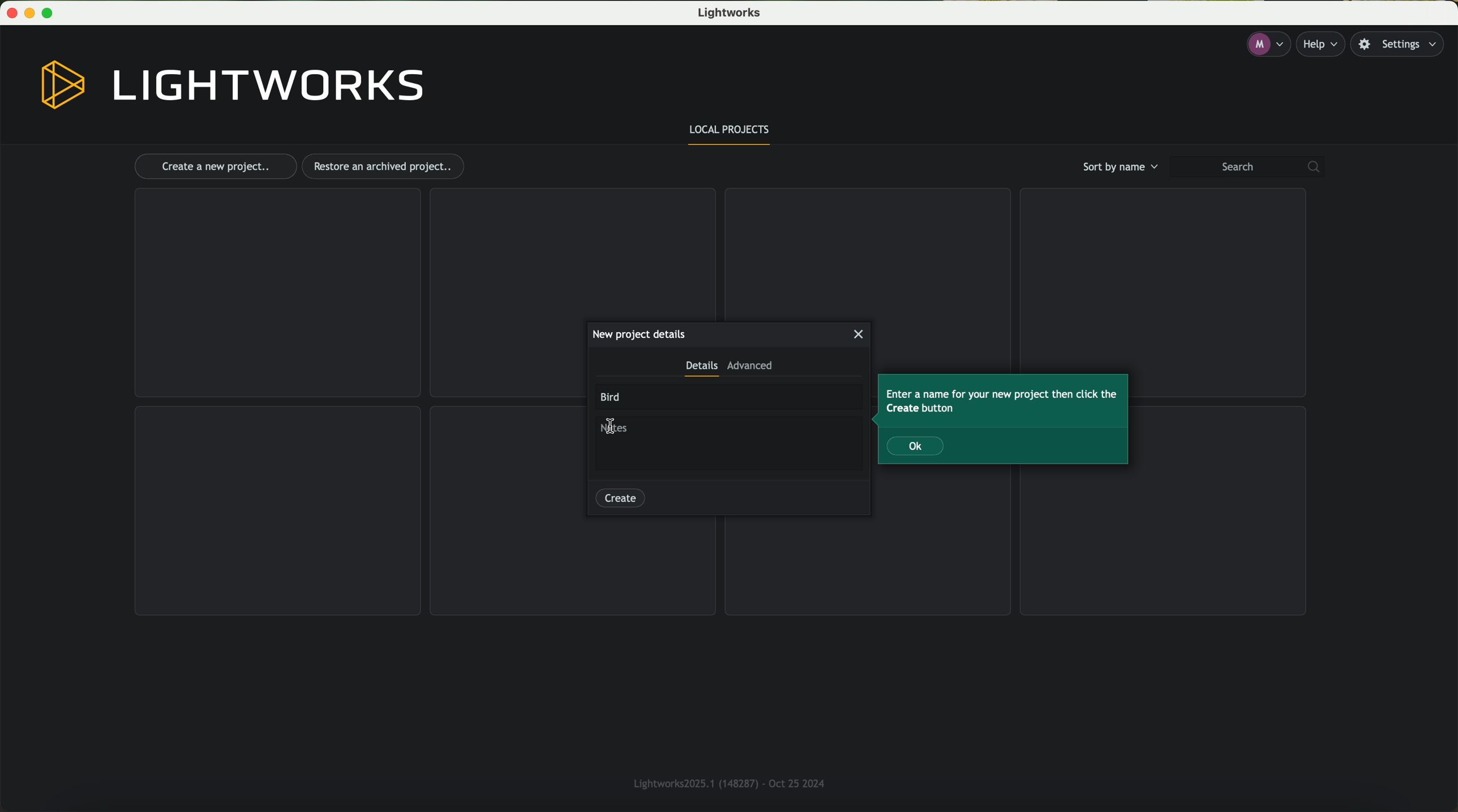 This screenshot has height=812, width=1458. What do you see at coordinates (386, 166) in the screenshot?
I see `restore an archived project` at bounding box center [386, 166].